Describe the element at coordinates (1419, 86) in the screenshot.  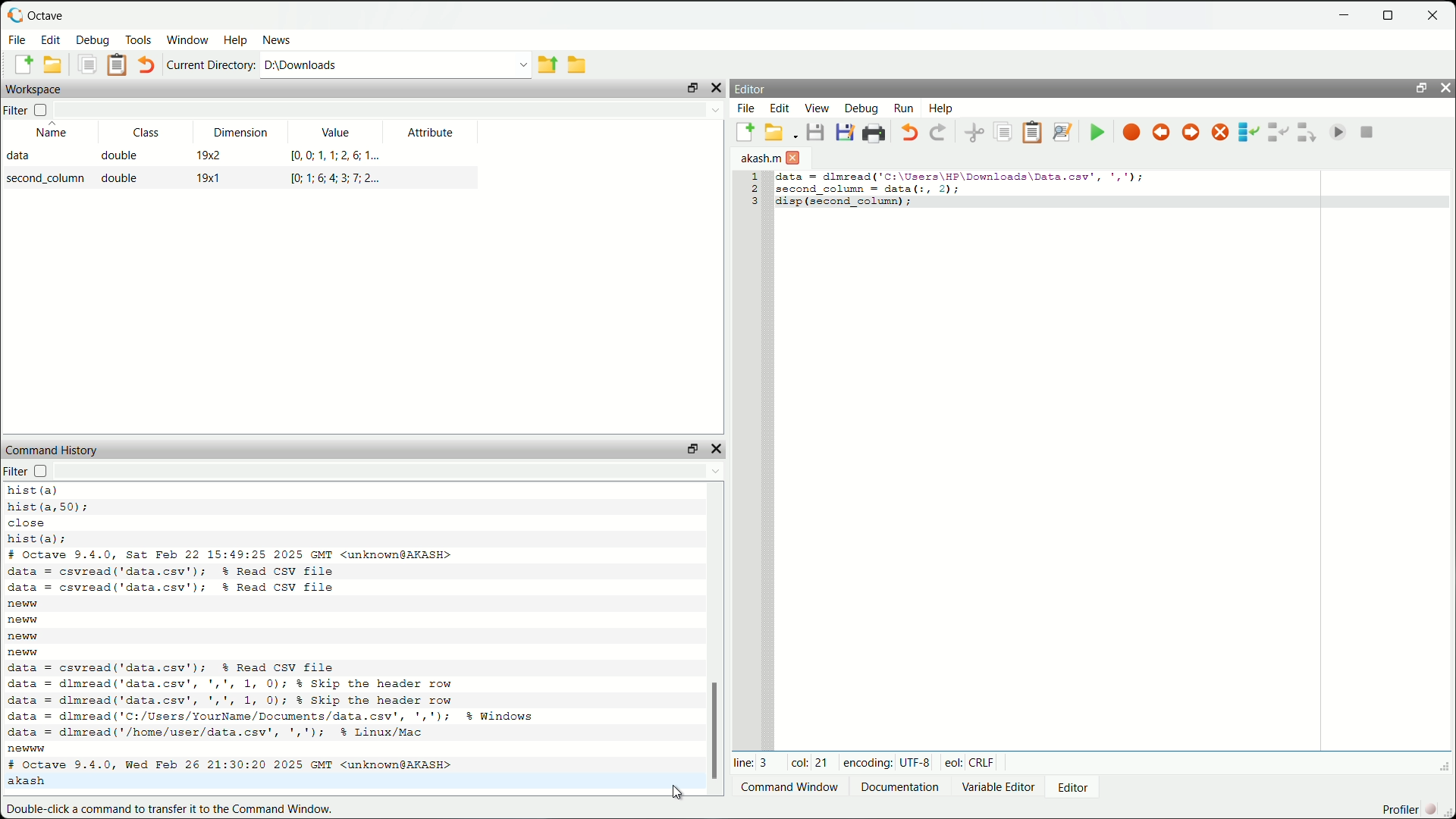
I see `unlock widget` at that location.